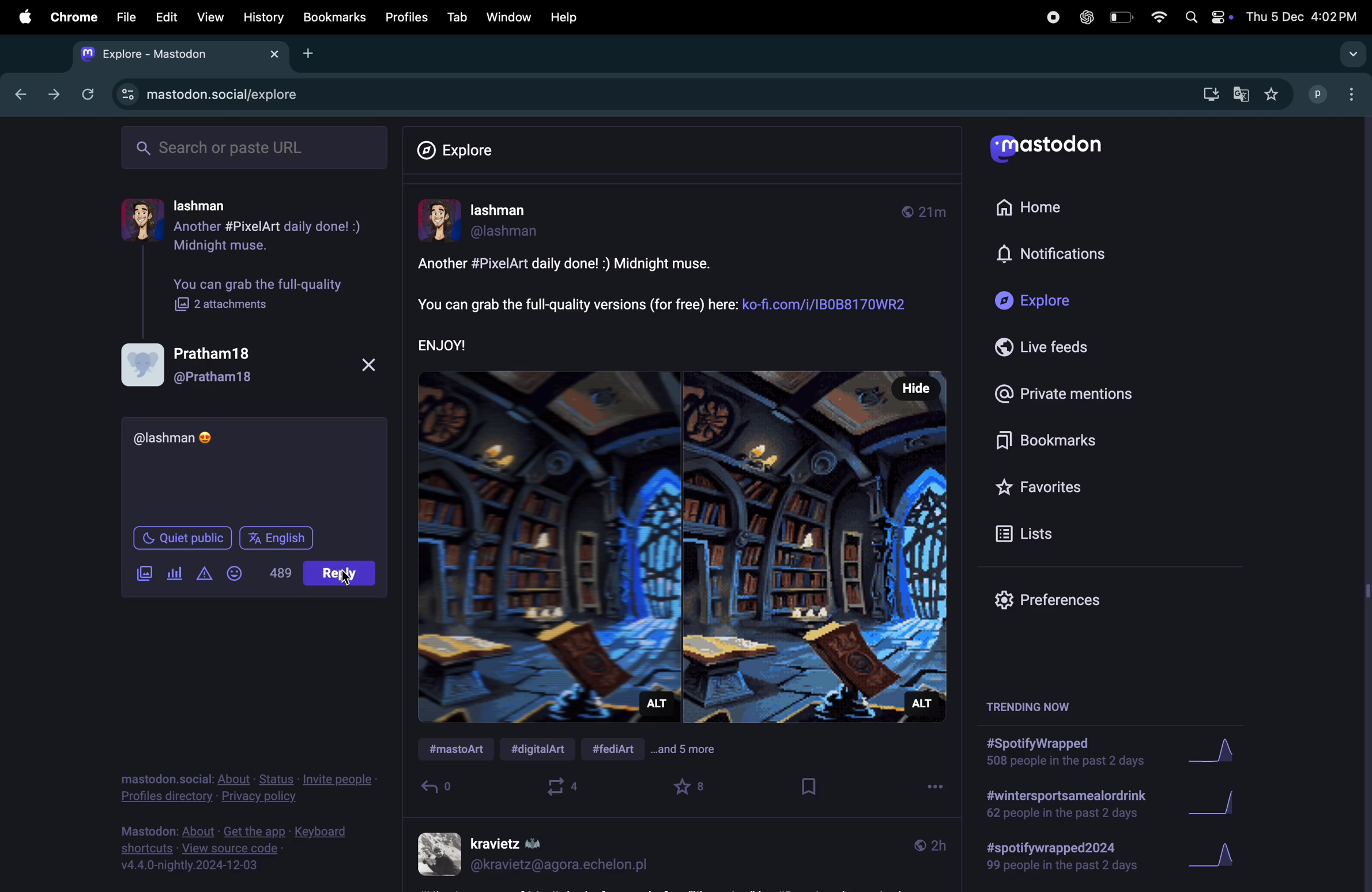 This screenshot has width=1372, height=892. What do you see at coordinates (224, 95) in the screenshot?
I see `mastdon explore` at bounding box center [224, 95].